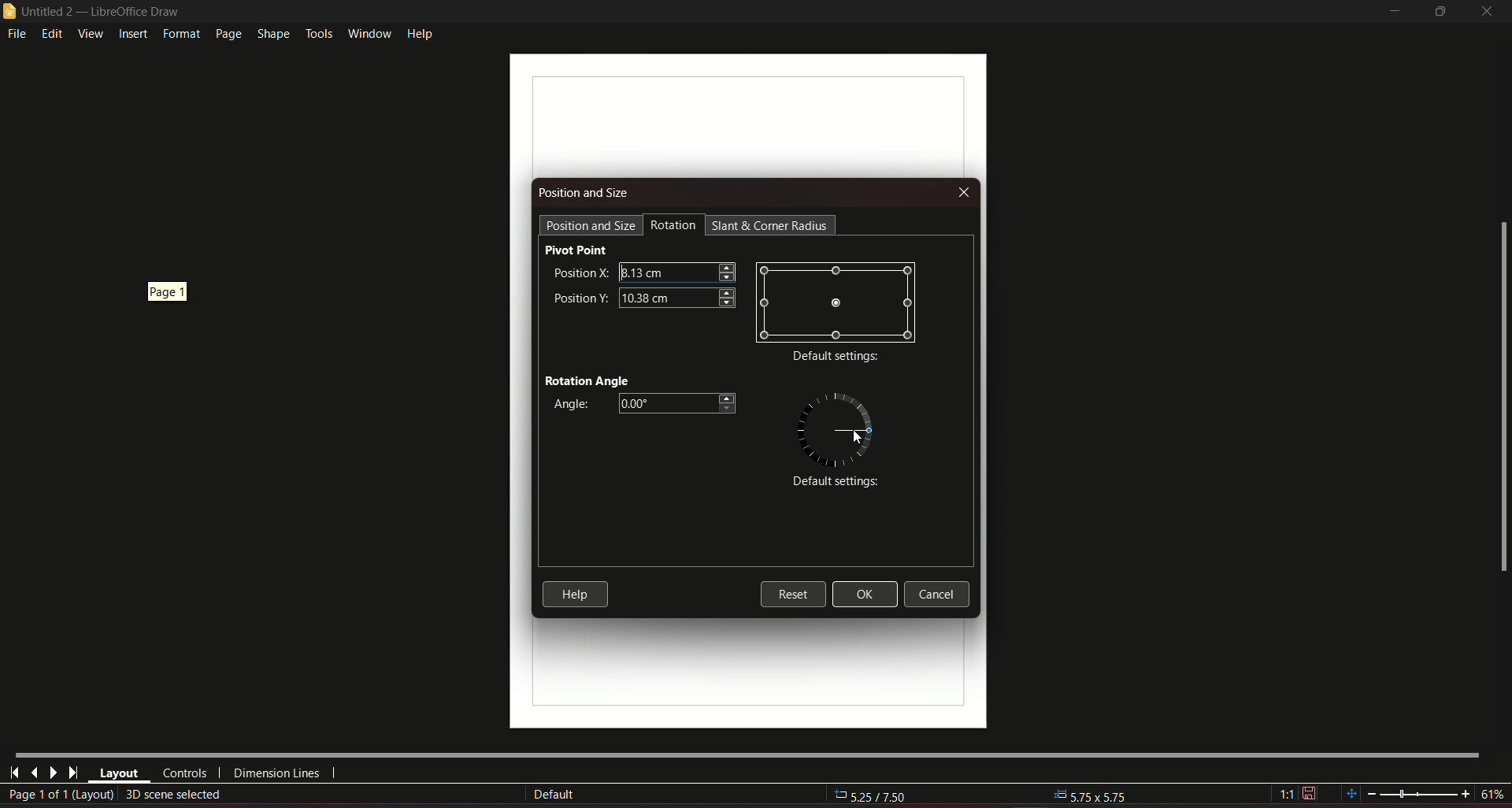 The image size is (1512, 808). I want to click on Position X, so click(579, 272).